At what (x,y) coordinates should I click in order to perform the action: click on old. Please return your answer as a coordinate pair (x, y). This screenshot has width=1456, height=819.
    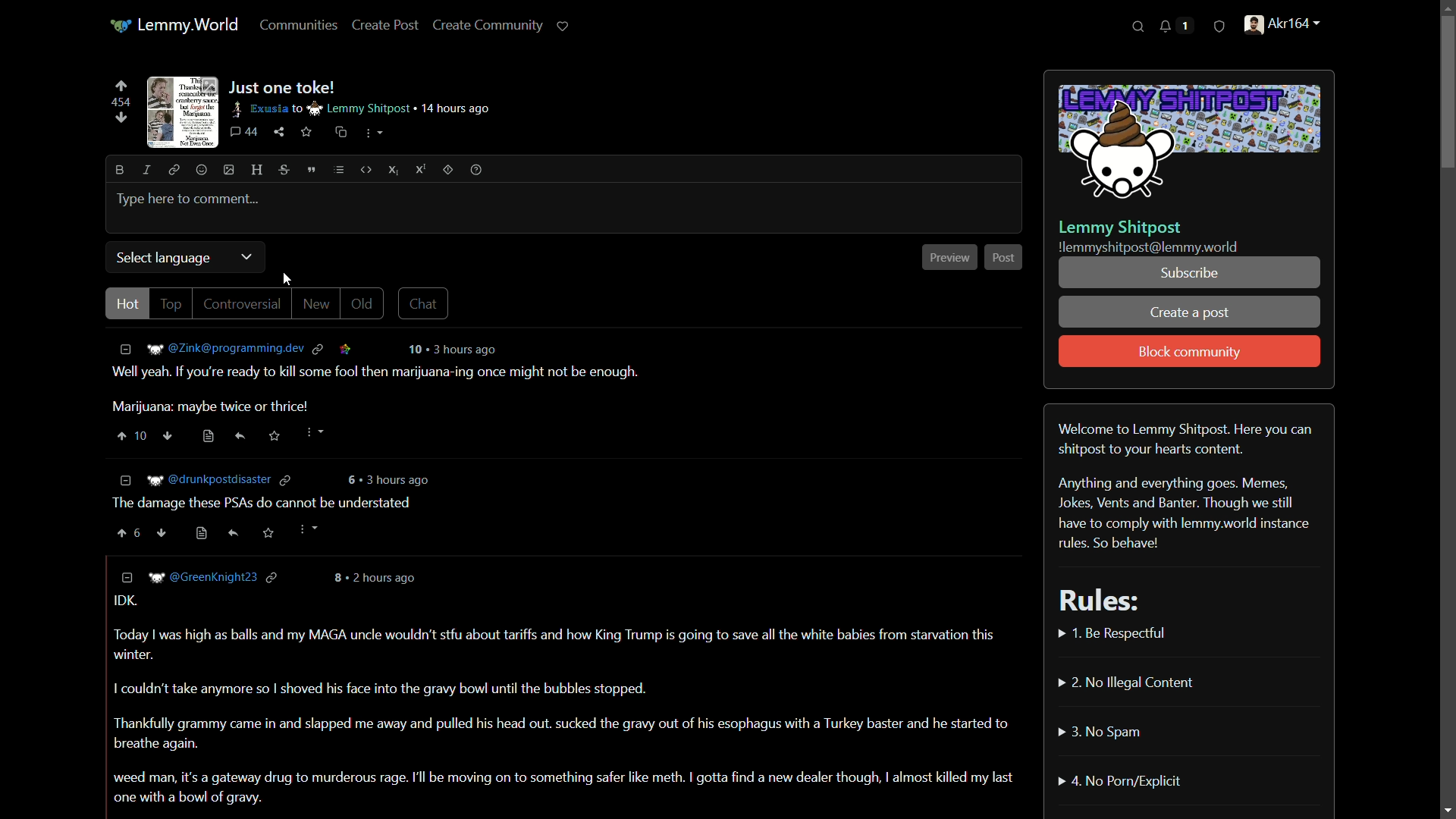
    Looking at the image, I should click on (361, 303).